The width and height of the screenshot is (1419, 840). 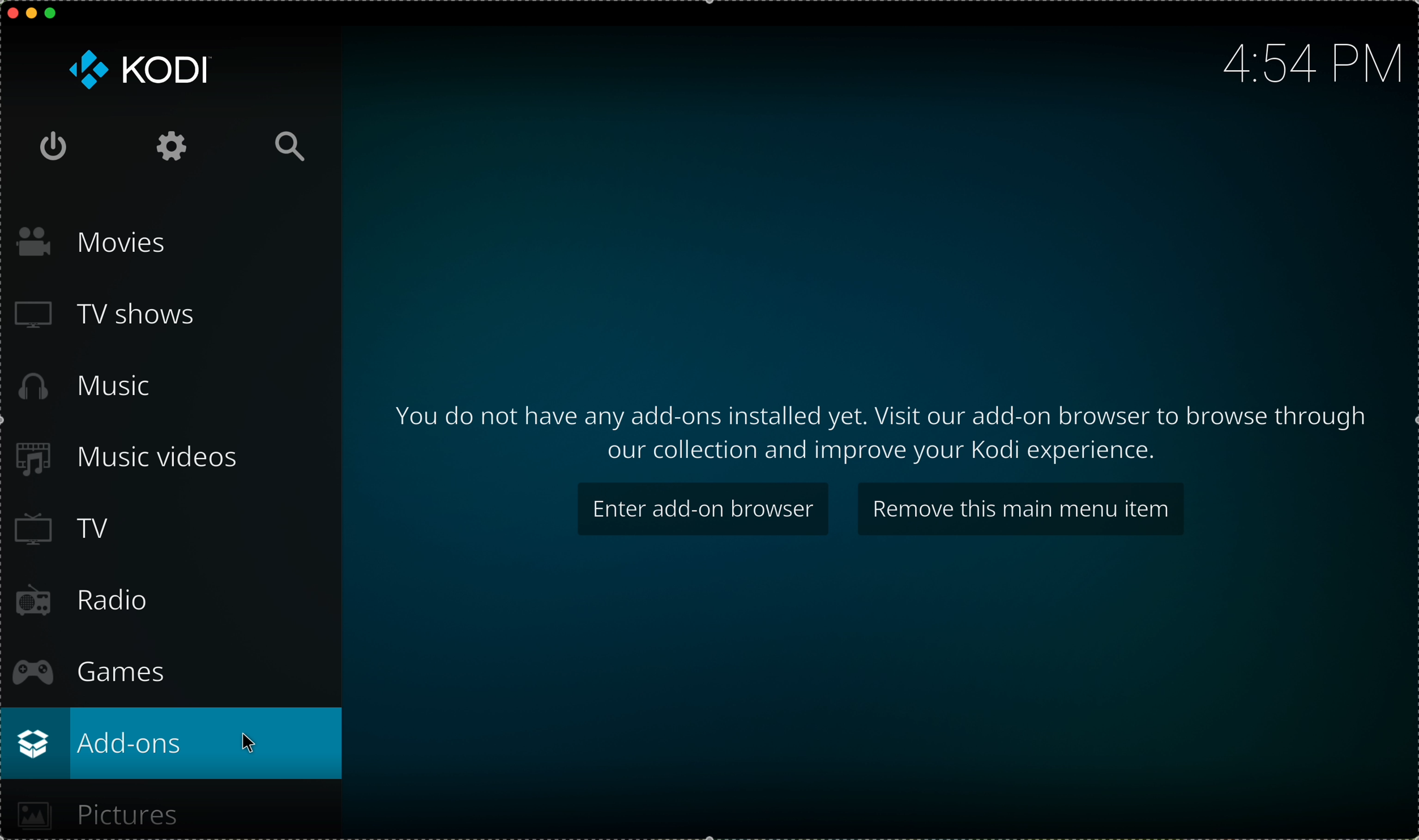 I want to click on search, so click(x=290, y=146).